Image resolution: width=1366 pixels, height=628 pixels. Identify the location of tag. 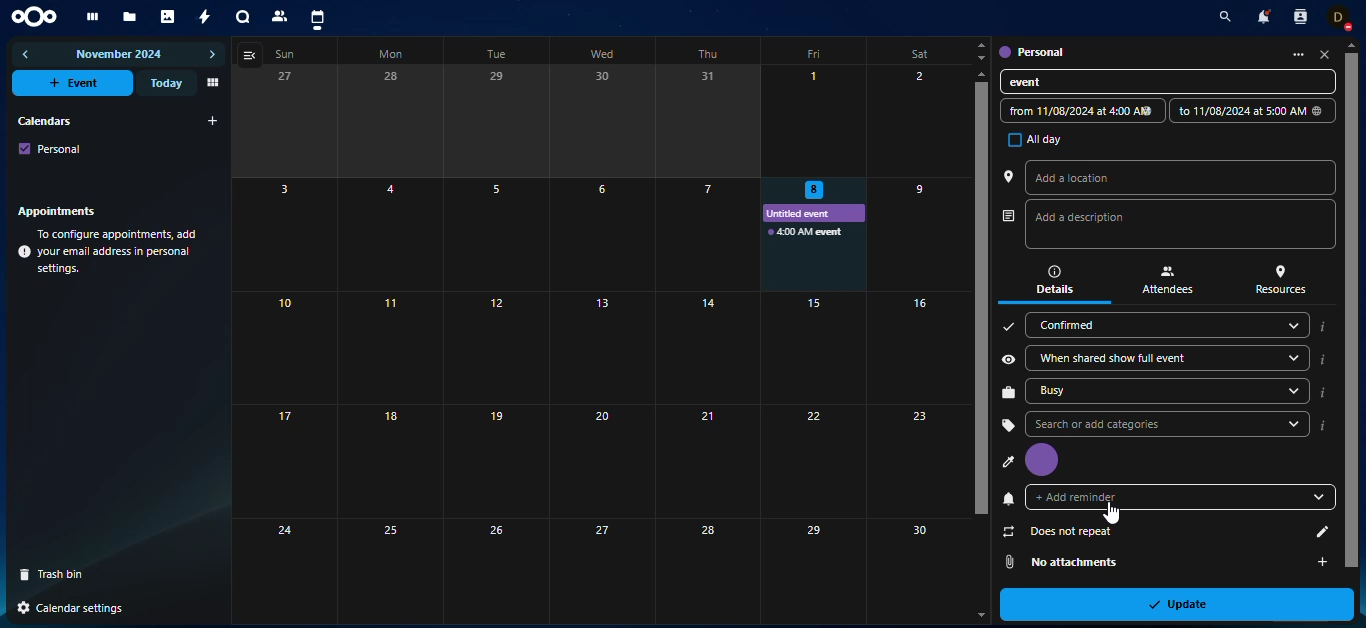
(1007, 424).